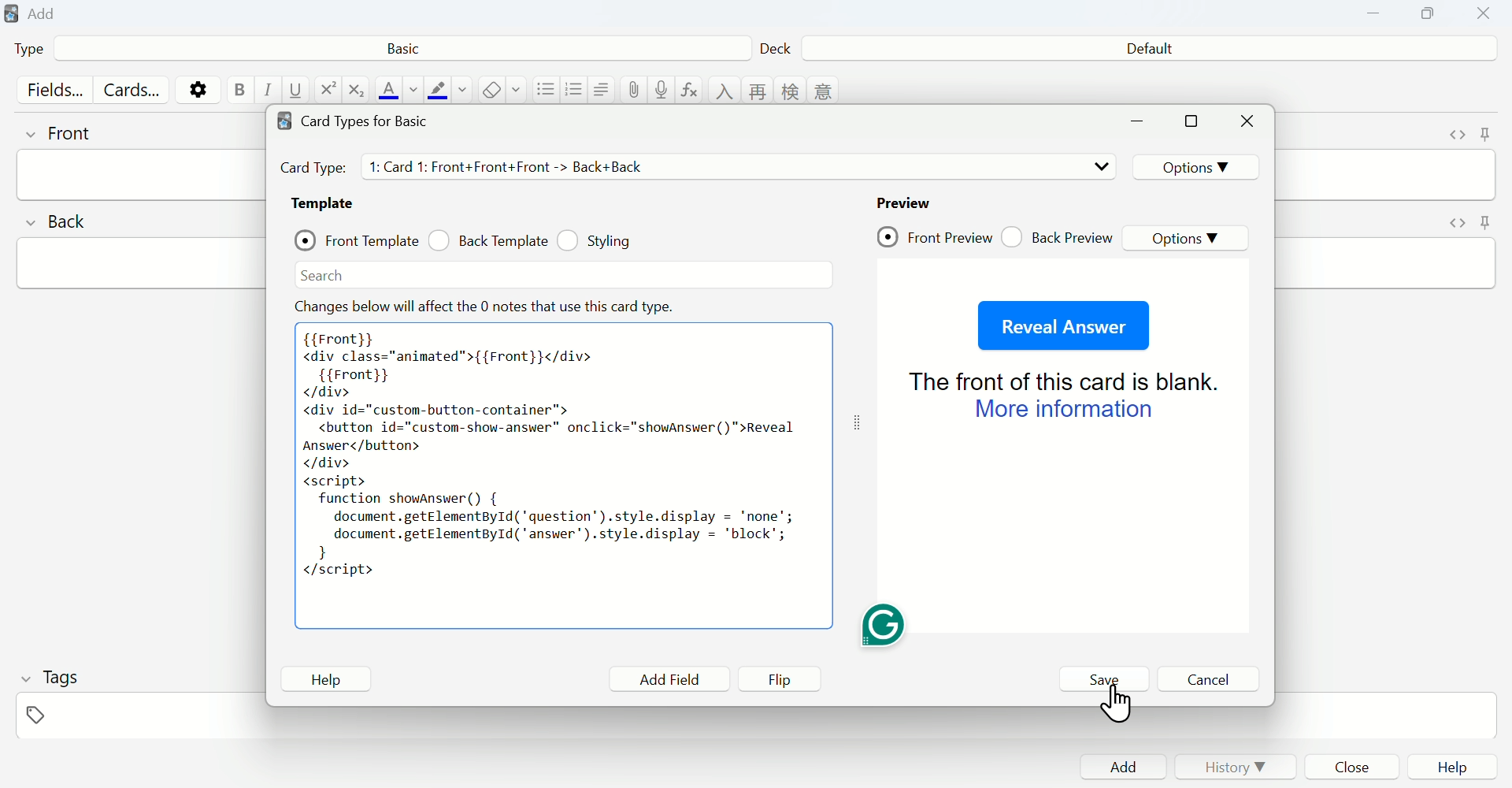  I want to click on bold text, so click(239, 90).